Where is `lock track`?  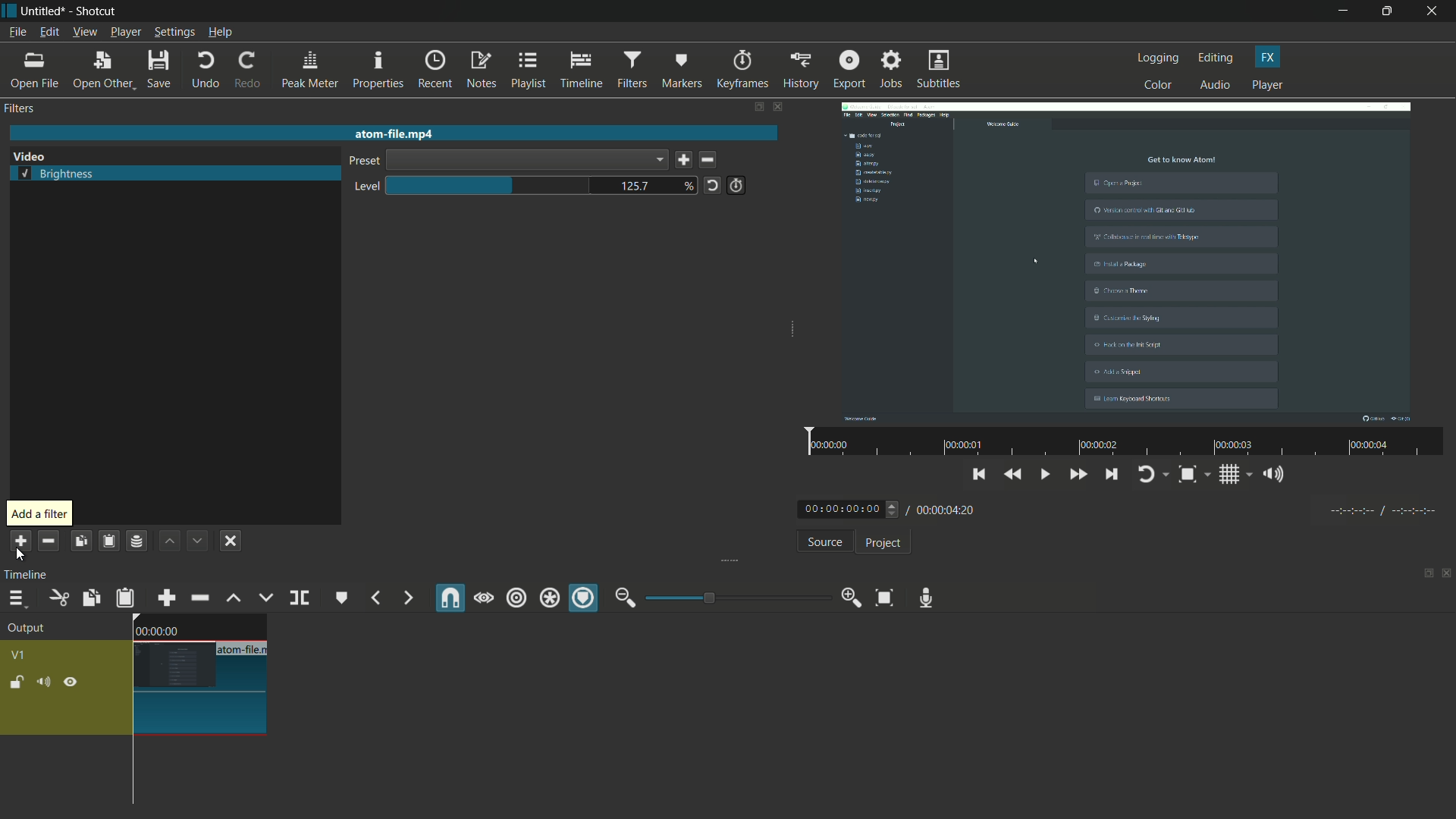 lock track is located at coordinates (19, 682).